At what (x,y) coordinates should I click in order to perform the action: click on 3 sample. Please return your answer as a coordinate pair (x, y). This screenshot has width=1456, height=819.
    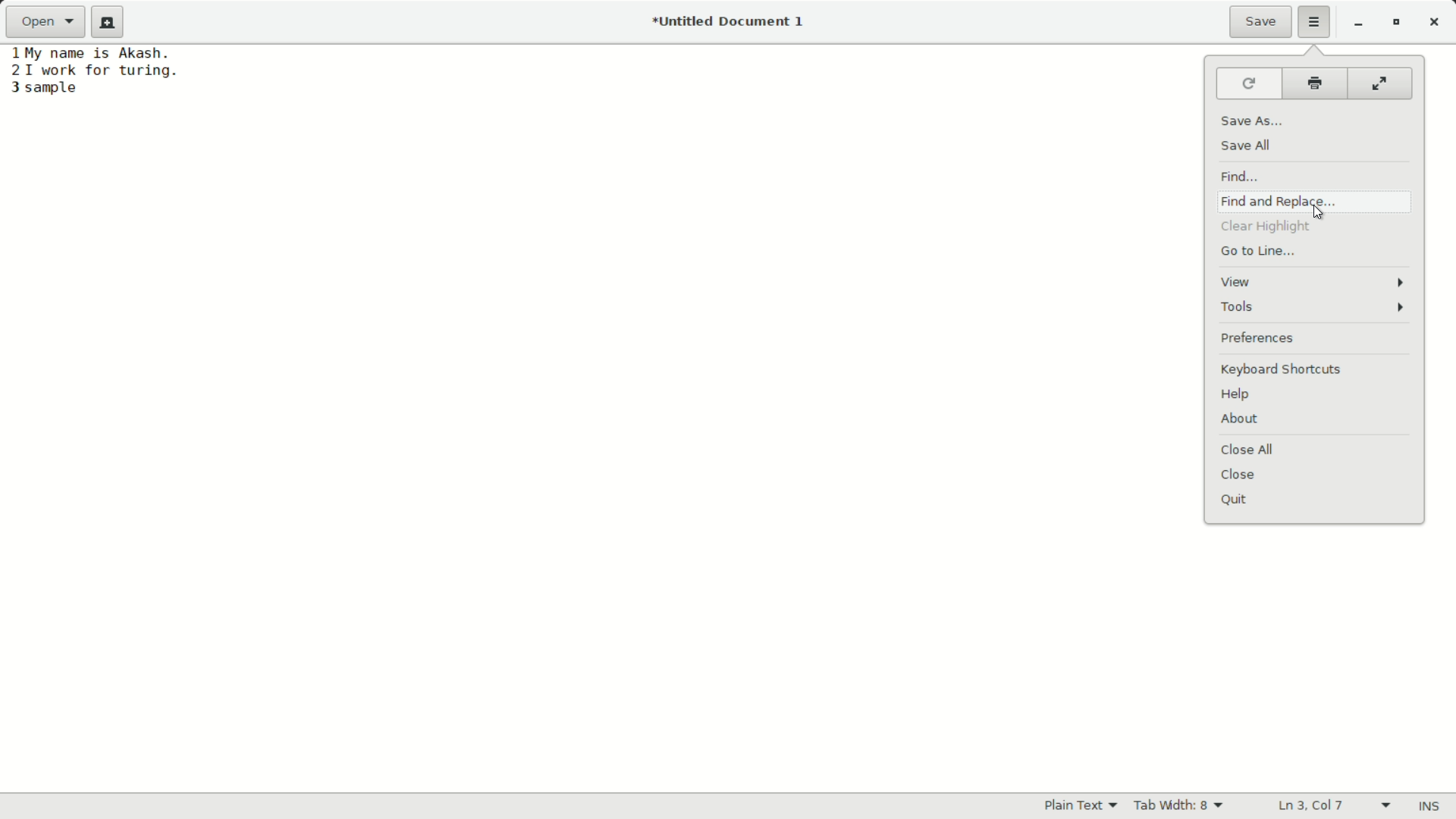
    Looking at the image, I should click on (44, 89).